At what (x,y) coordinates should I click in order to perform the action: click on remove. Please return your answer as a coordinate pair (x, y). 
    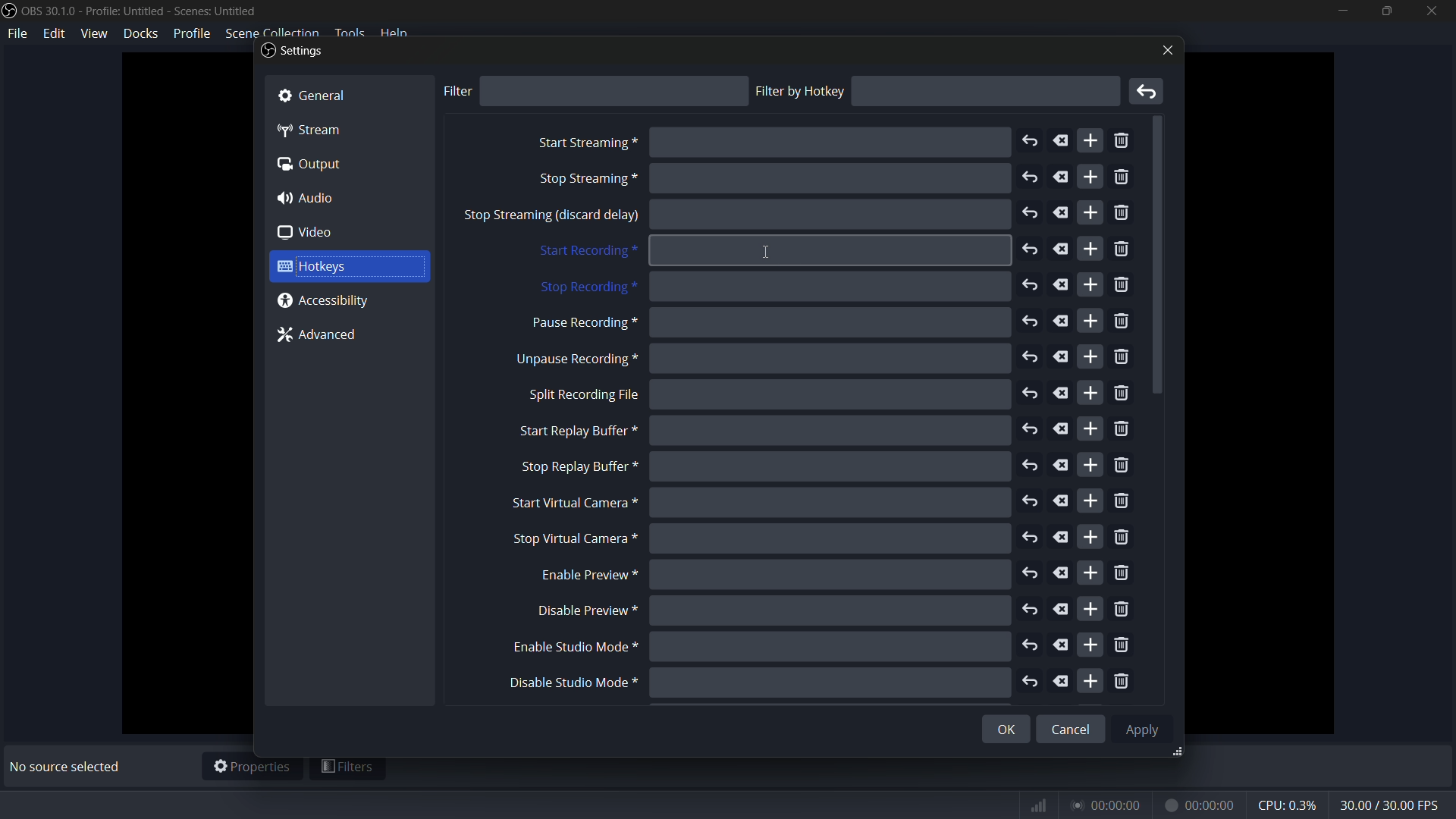
    Looking at the image, I should click on (1125, 394).